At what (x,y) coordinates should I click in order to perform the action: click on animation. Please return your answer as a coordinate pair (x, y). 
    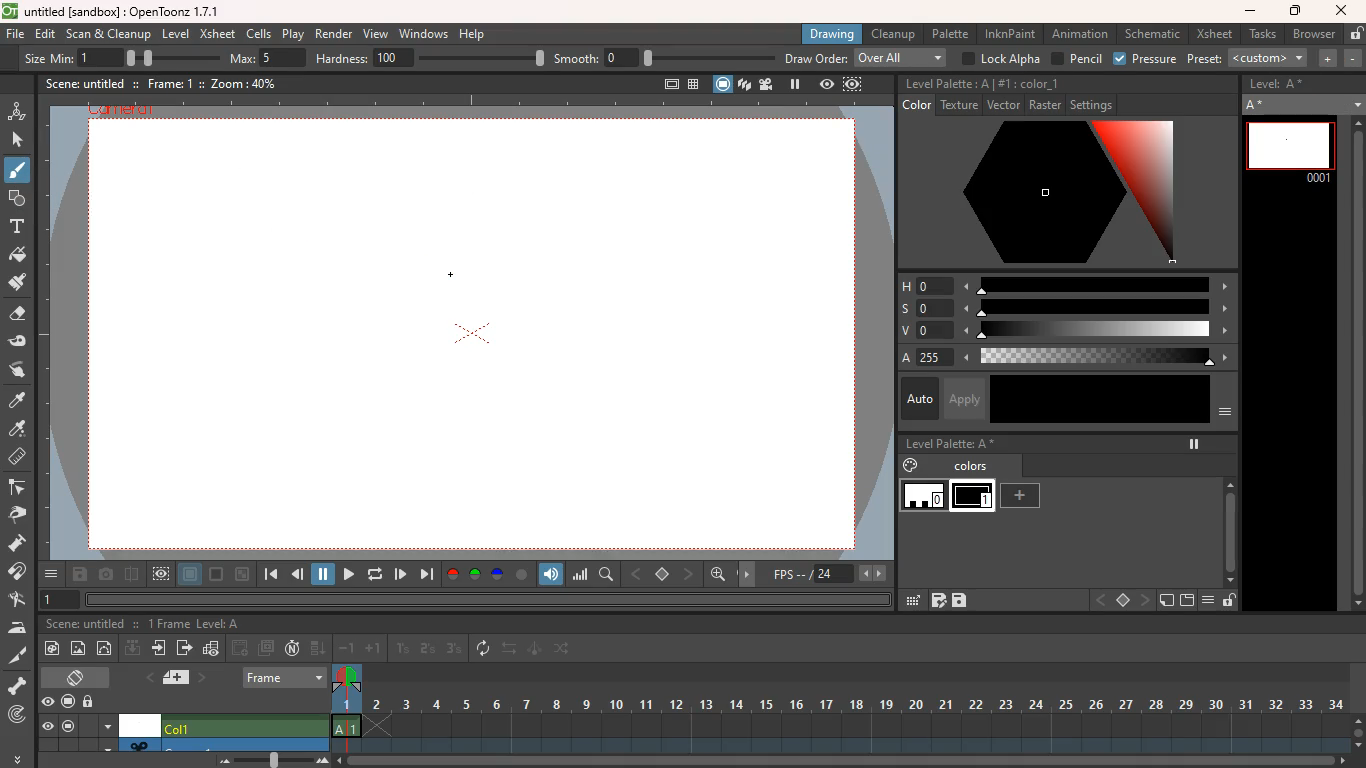
    Looking at the image, I should click on (1080, 34).